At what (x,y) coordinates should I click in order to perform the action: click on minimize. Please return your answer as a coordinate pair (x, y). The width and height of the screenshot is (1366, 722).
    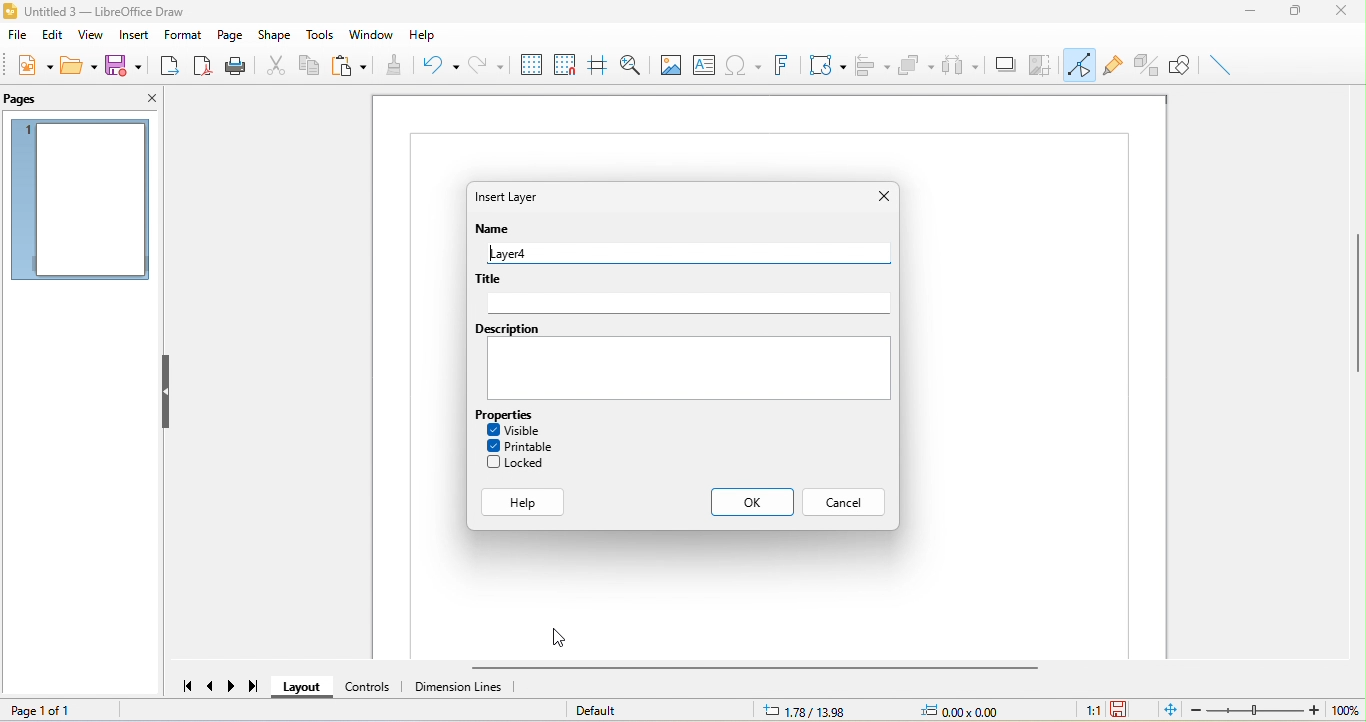
    Looking at the image, I should click on (1255, 13).